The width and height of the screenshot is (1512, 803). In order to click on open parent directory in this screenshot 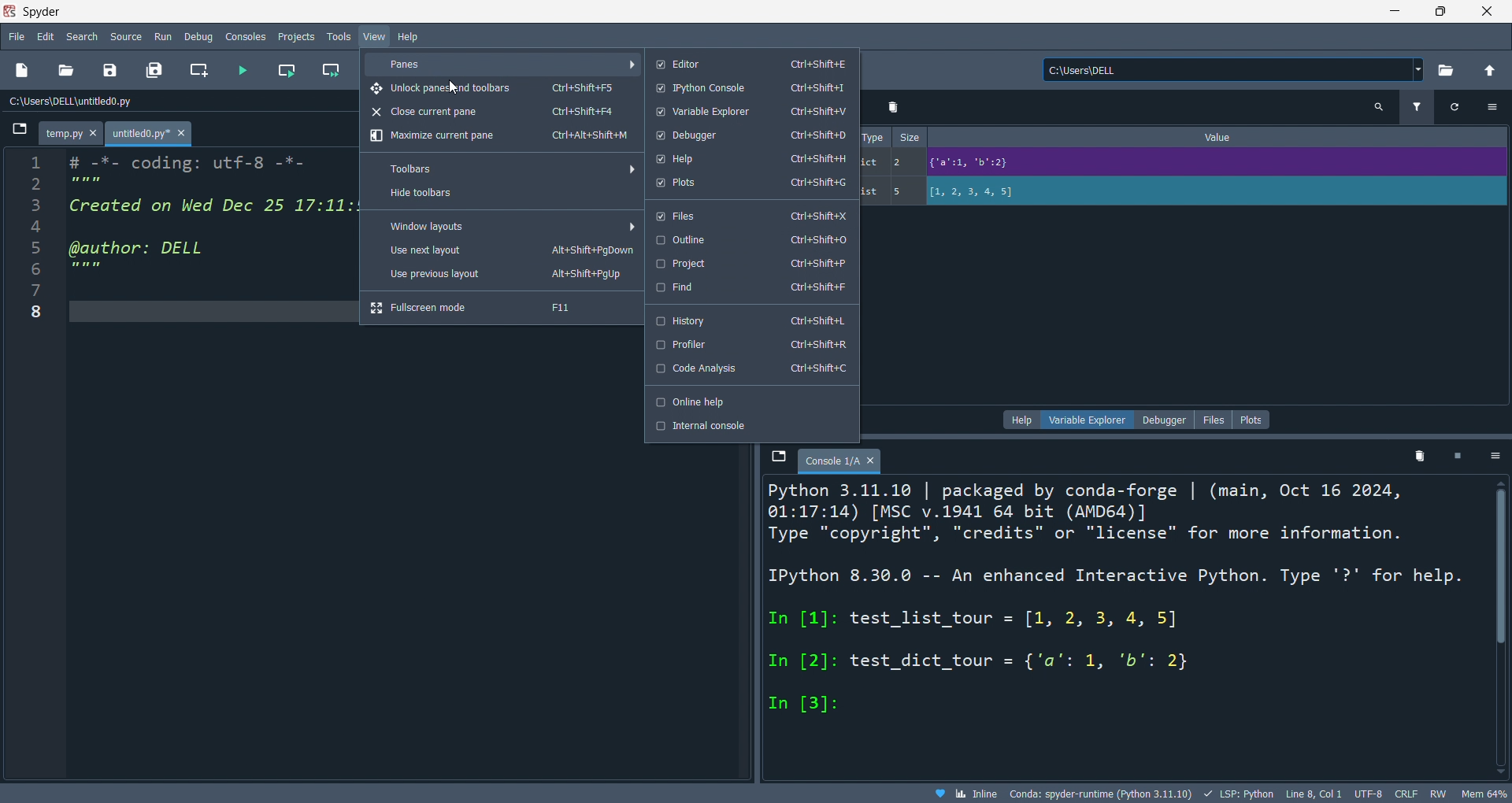, I will do `click(1490, 68)`.